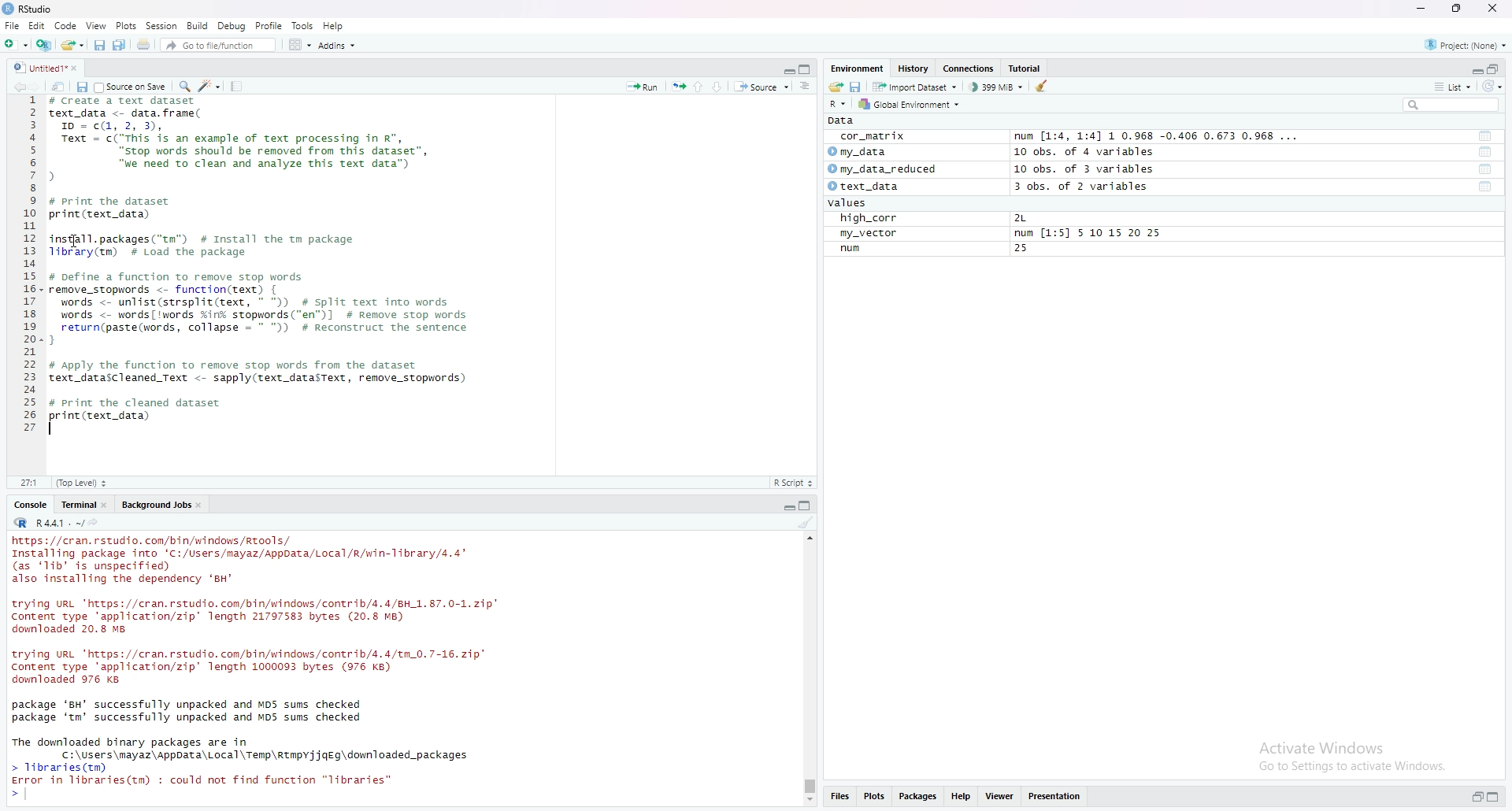  What do you see at coordinates (875, 797) in the screenshot?
I see `plots` at bounding box center [875, 797].